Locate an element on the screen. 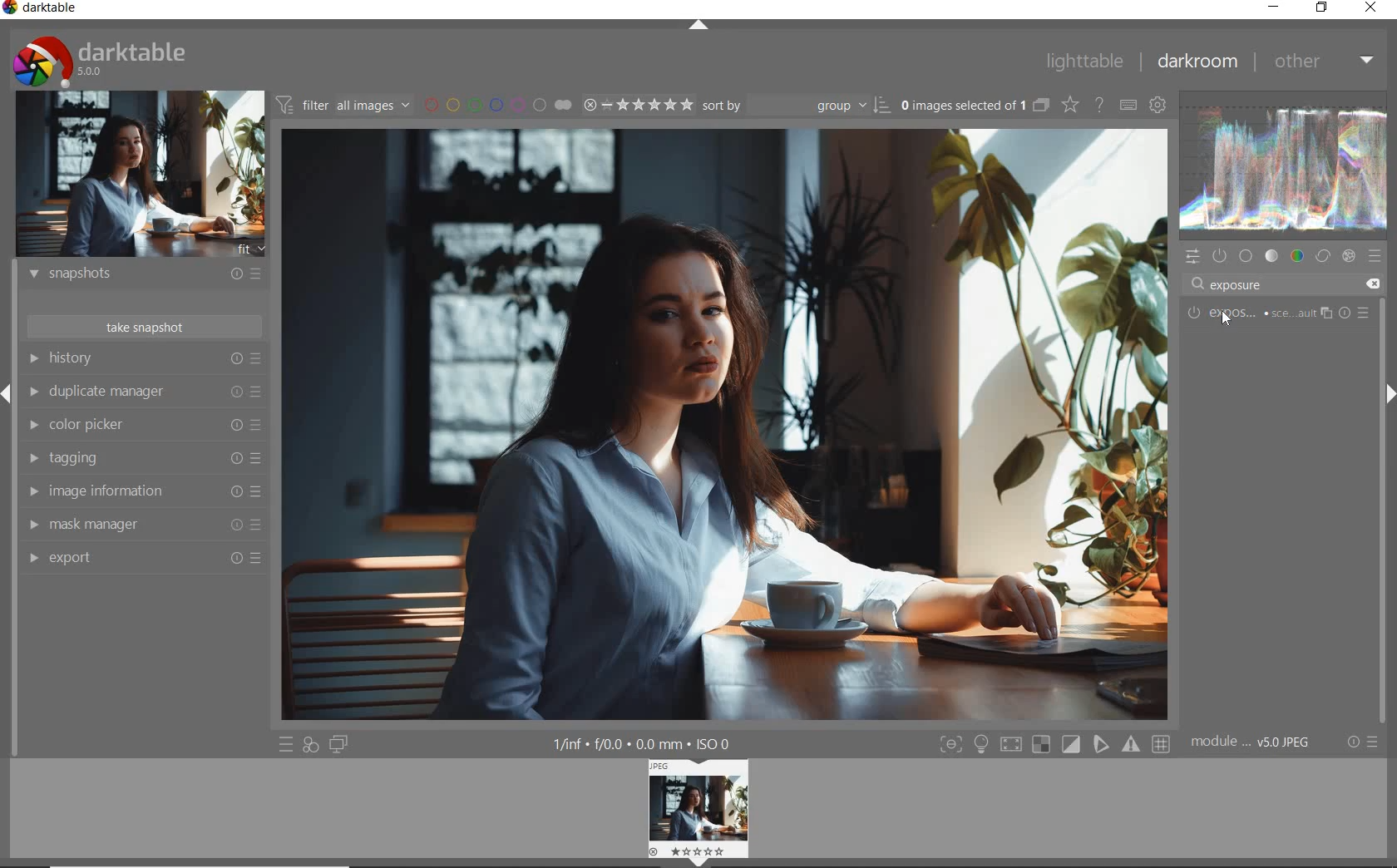  other display information is located at coordinates (642, 743).